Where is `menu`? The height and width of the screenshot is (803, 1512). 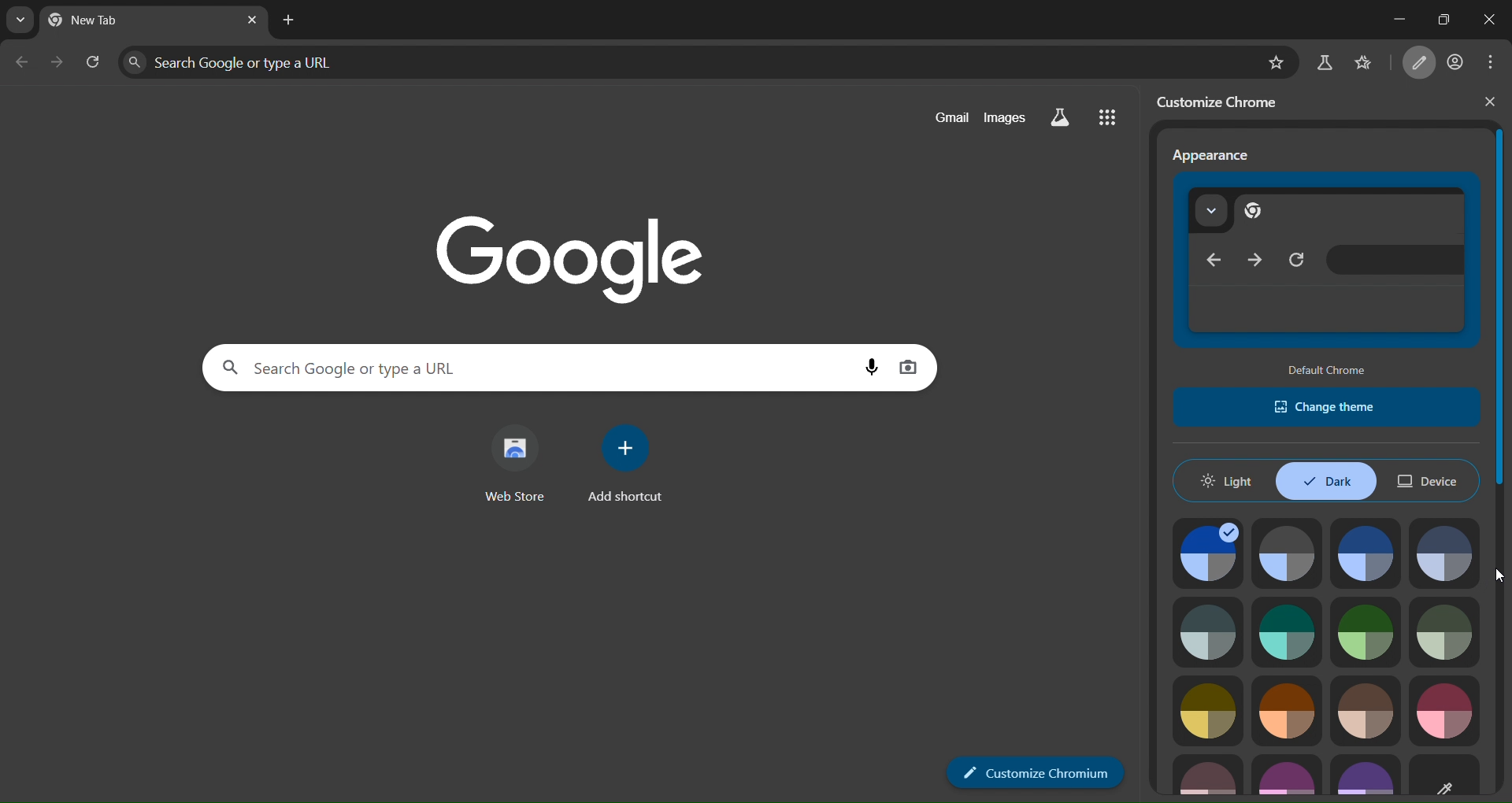 menu is located at coordinates (1496, 61).